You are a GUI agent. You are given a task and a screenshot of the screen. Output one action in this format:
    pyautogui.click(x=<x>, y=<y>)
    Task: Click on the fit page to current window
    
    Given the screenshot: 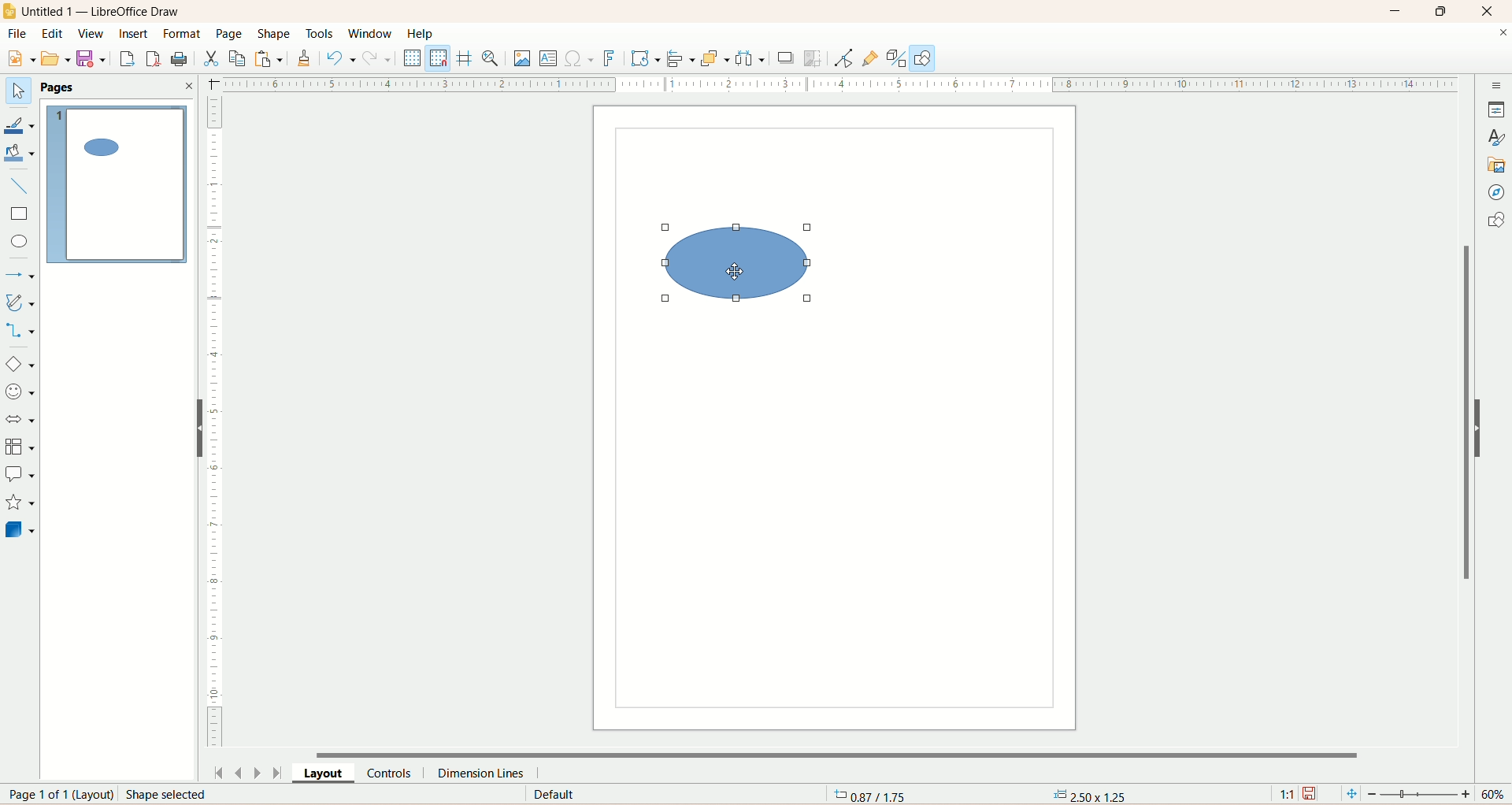 What is the action you would take?
    pyautogui.click(x=1349, y=794)
    